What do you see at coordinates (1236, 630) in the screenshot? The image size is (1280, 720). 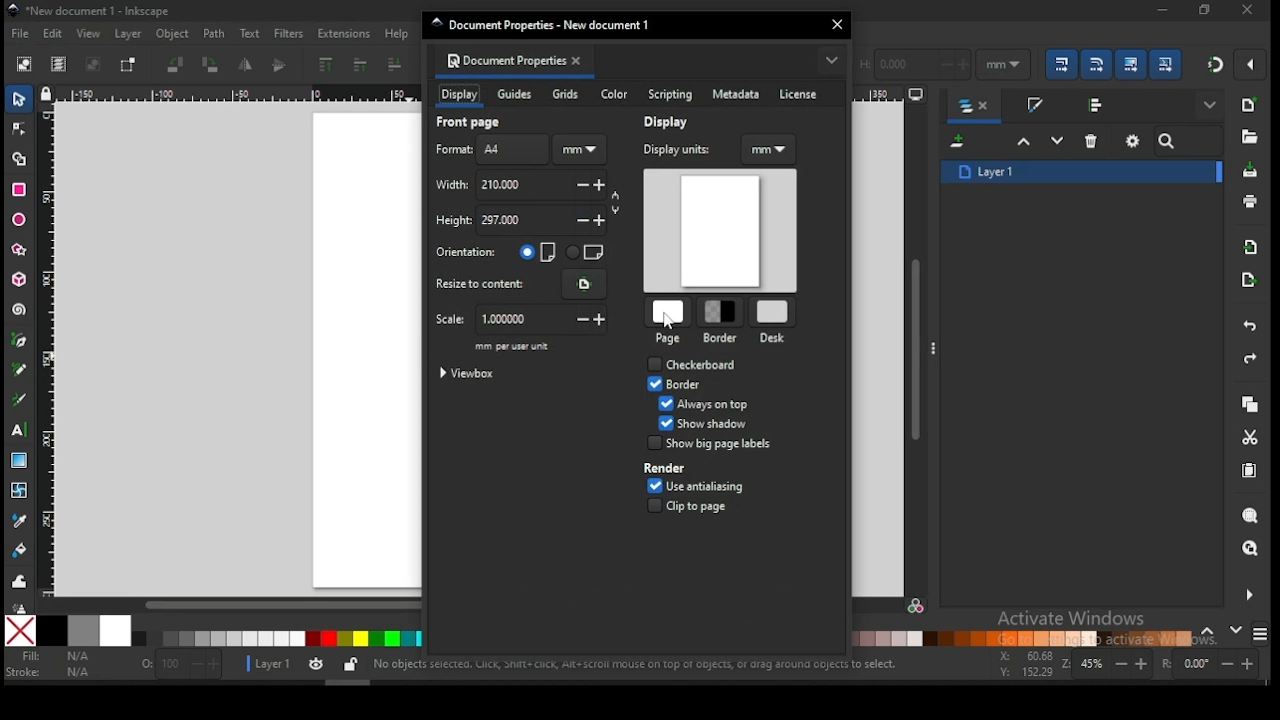 I see `next` at bounding box center [1236, 630].